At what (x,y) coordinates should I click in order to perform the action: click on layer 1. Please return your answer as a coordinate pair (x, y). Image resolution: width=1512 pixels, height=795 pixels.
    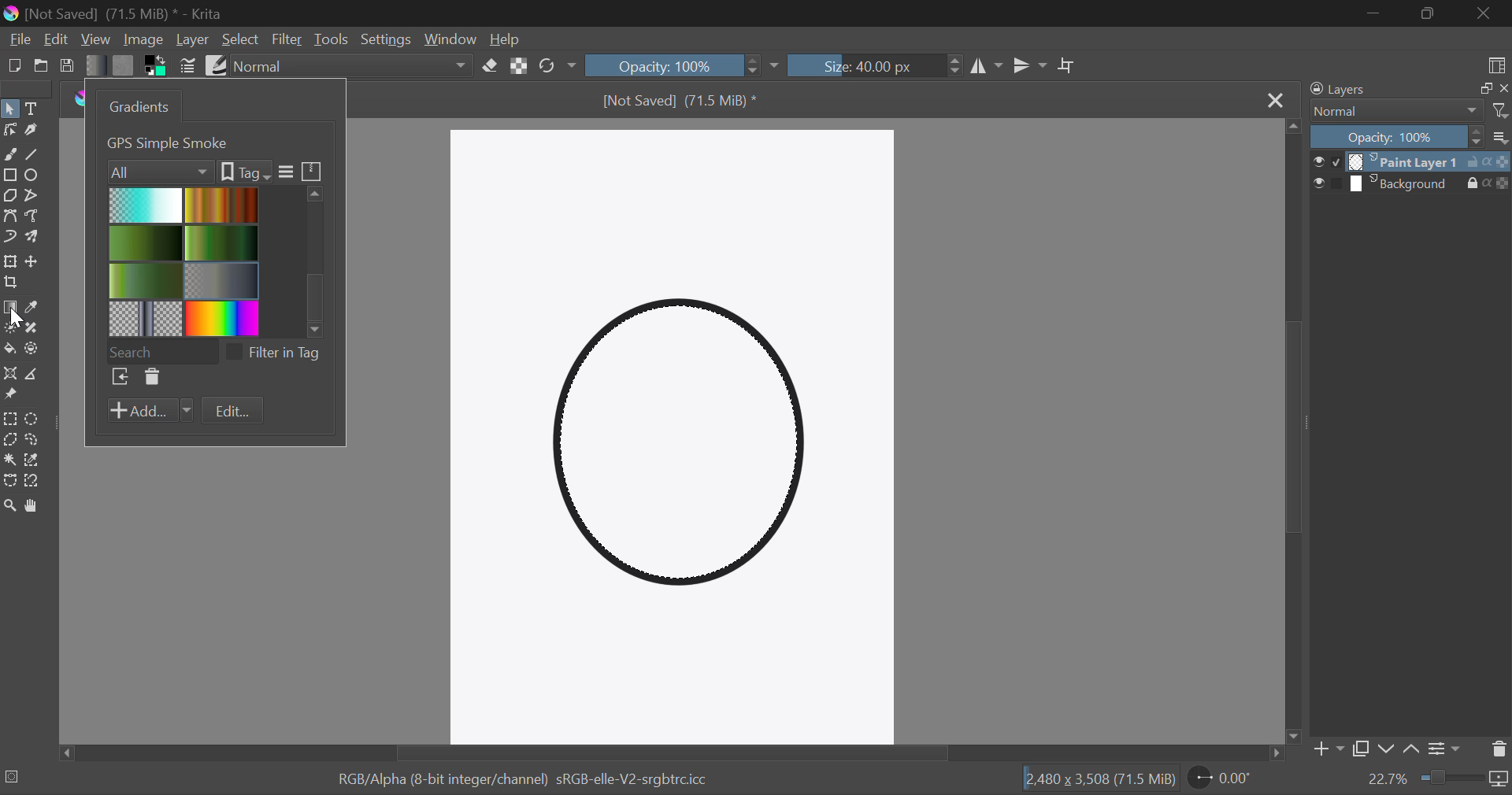
    Looking at the image, I should click on (1405, 162).